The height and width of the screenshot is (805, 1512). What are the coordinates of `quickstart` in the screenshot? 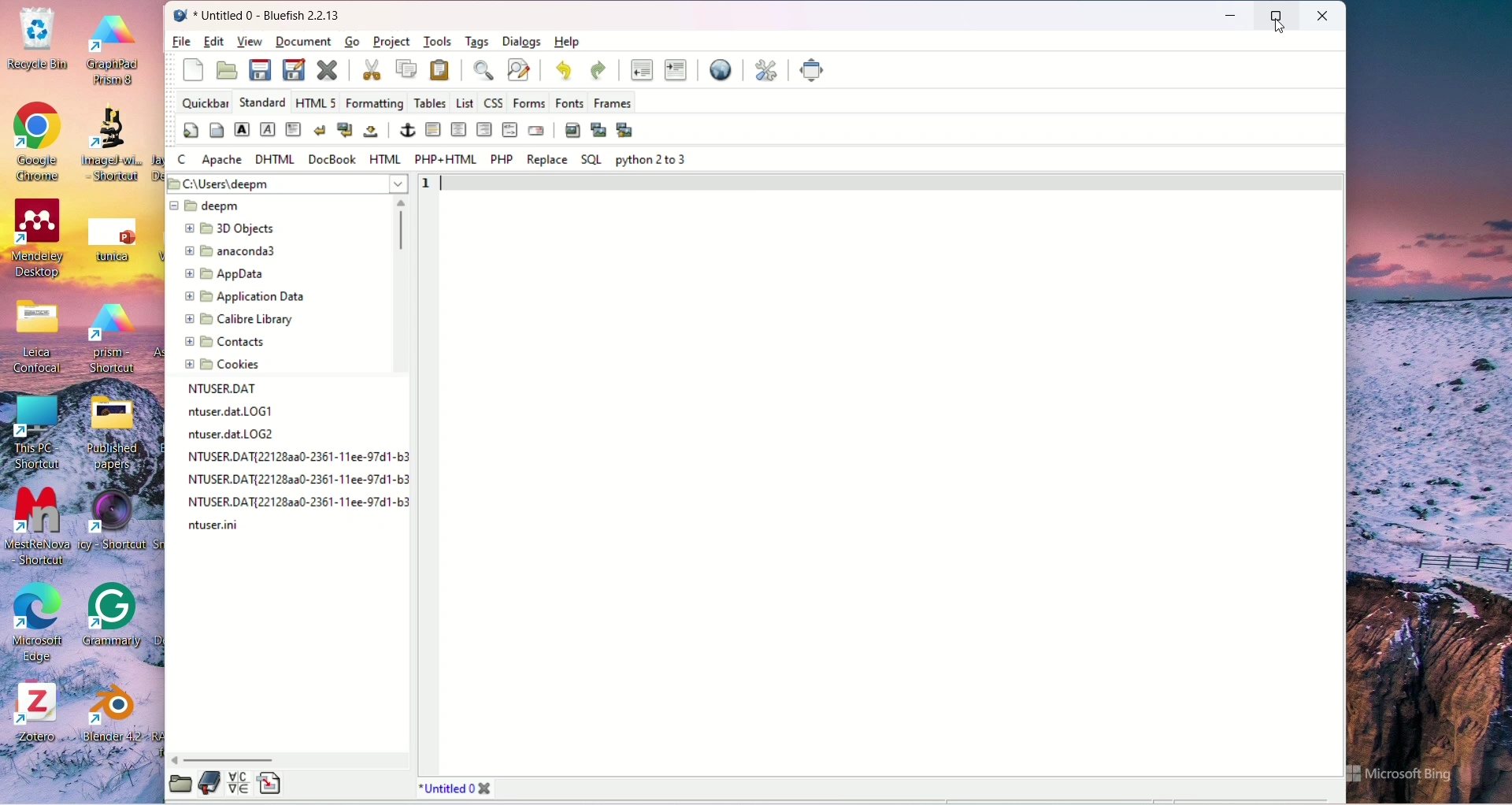 It's located at (195, 69).